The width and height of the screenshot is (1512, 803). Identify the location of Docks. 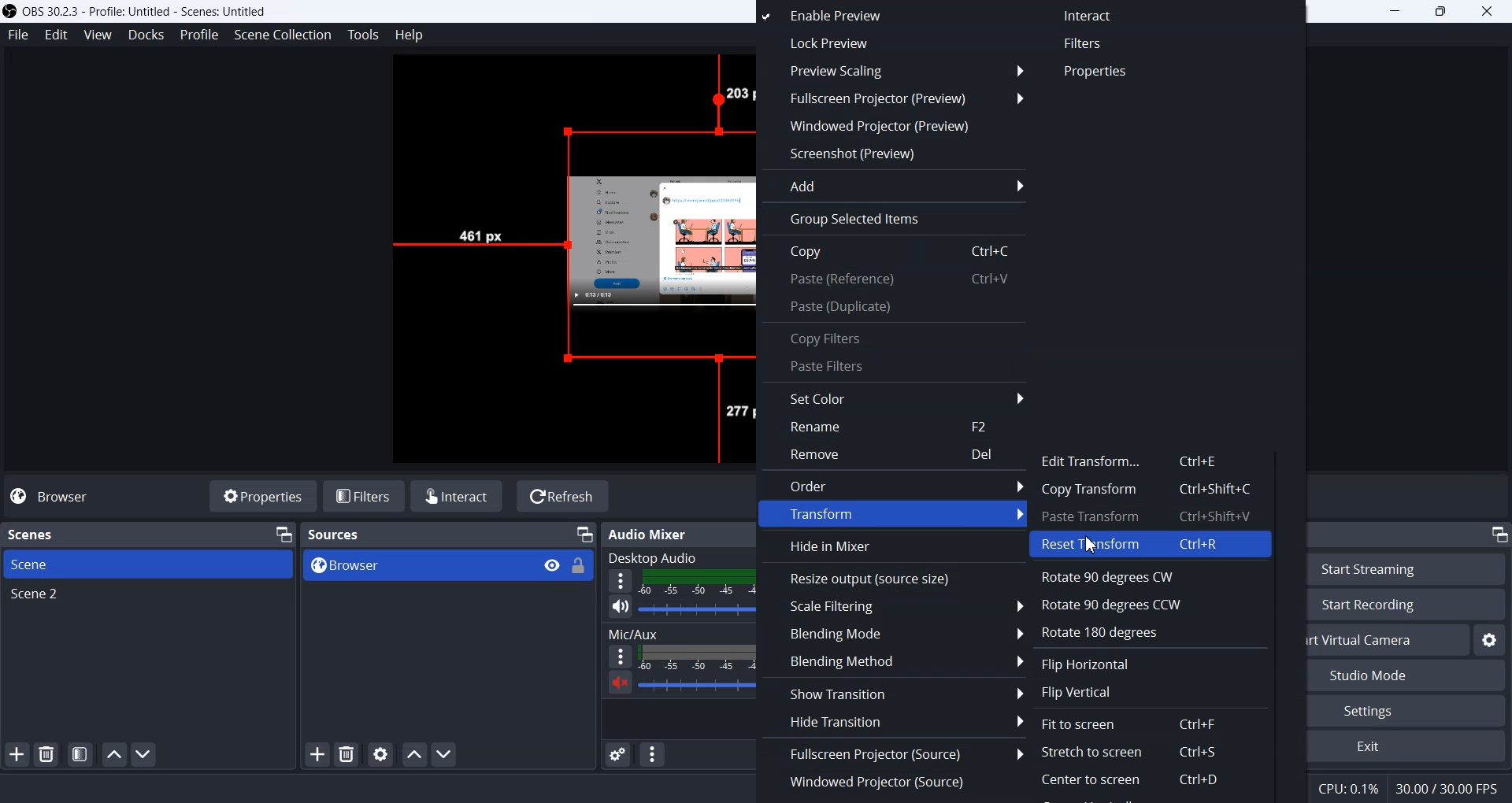
(144, 34).